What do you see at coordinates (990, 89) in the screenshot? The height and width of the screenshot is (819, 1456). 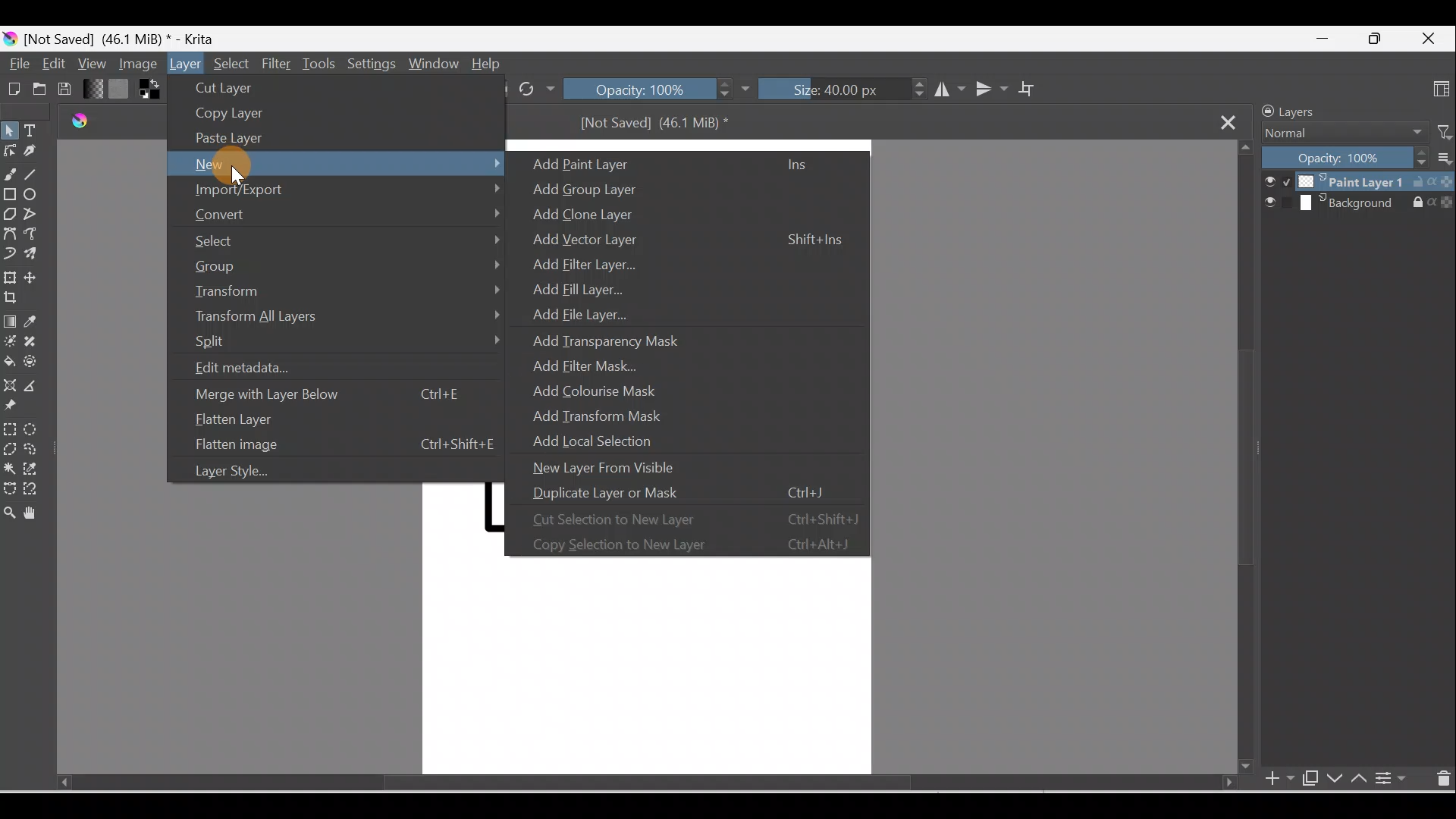 I see `Vertical mirror tool` at bounding box center [990, 89].